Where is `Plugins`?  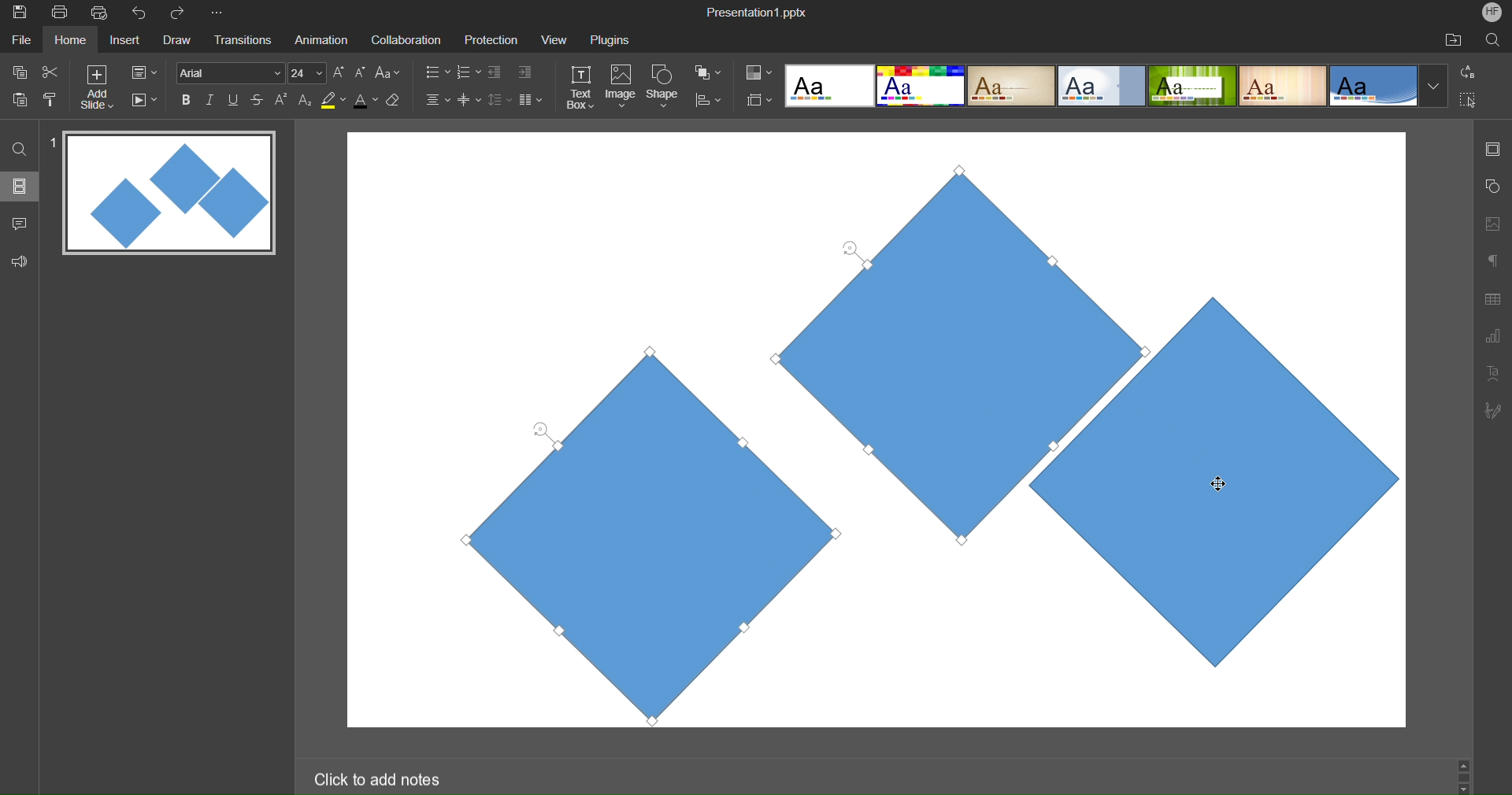 Plugins is located at coordinates (612, 39).